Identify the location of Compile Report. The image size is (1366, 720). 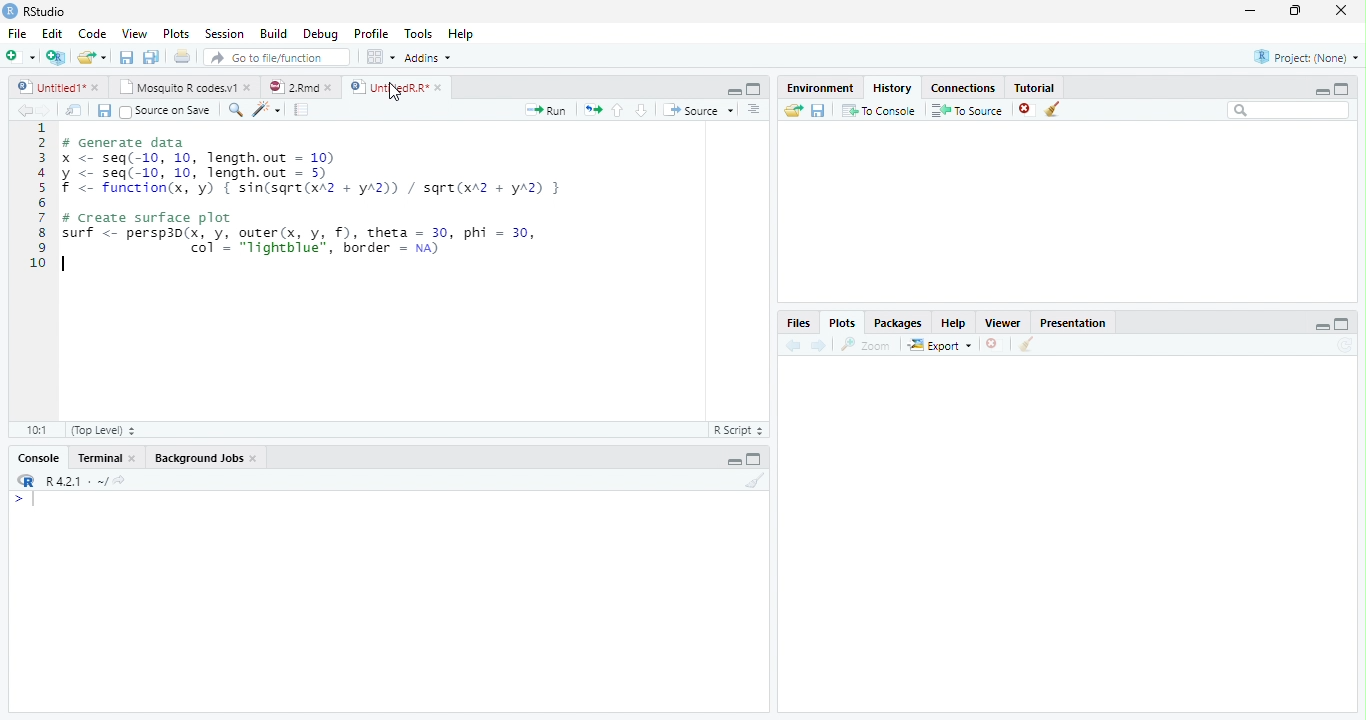
(301, 109).